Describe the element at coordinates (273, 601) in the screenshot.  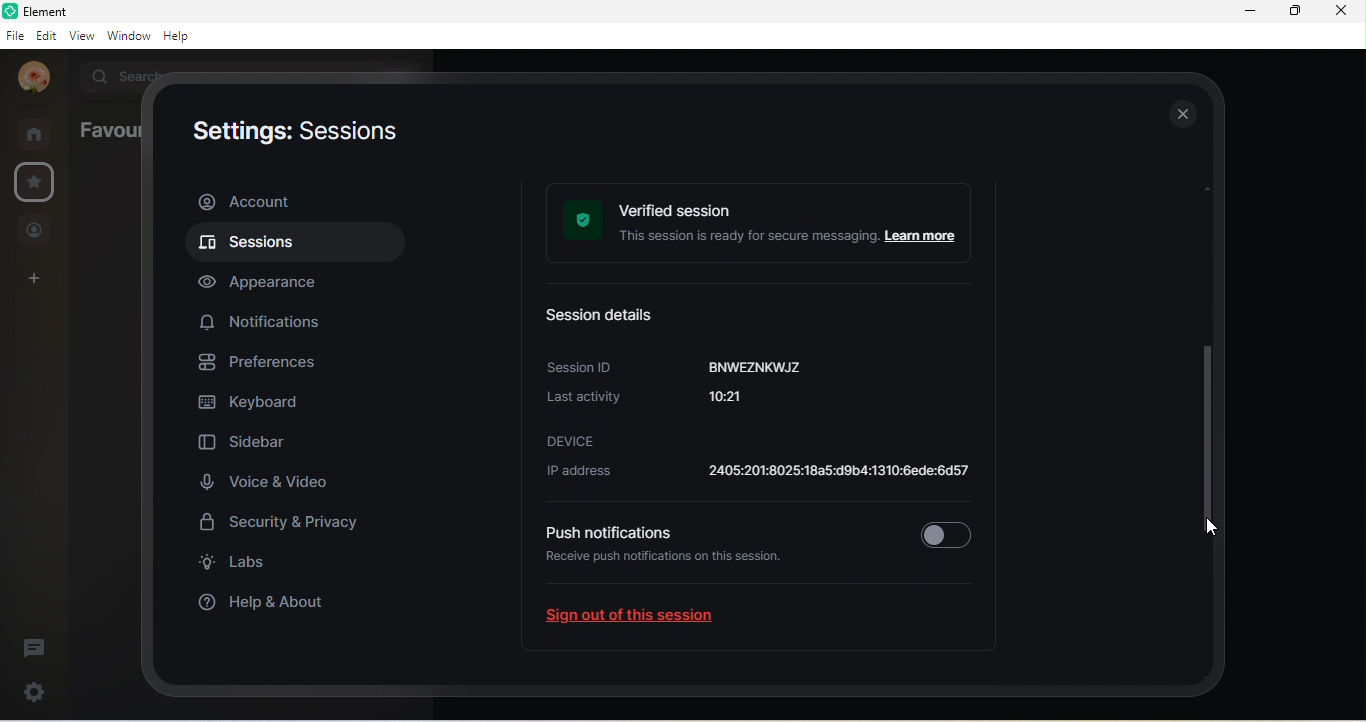
I see `help and about` at that location.